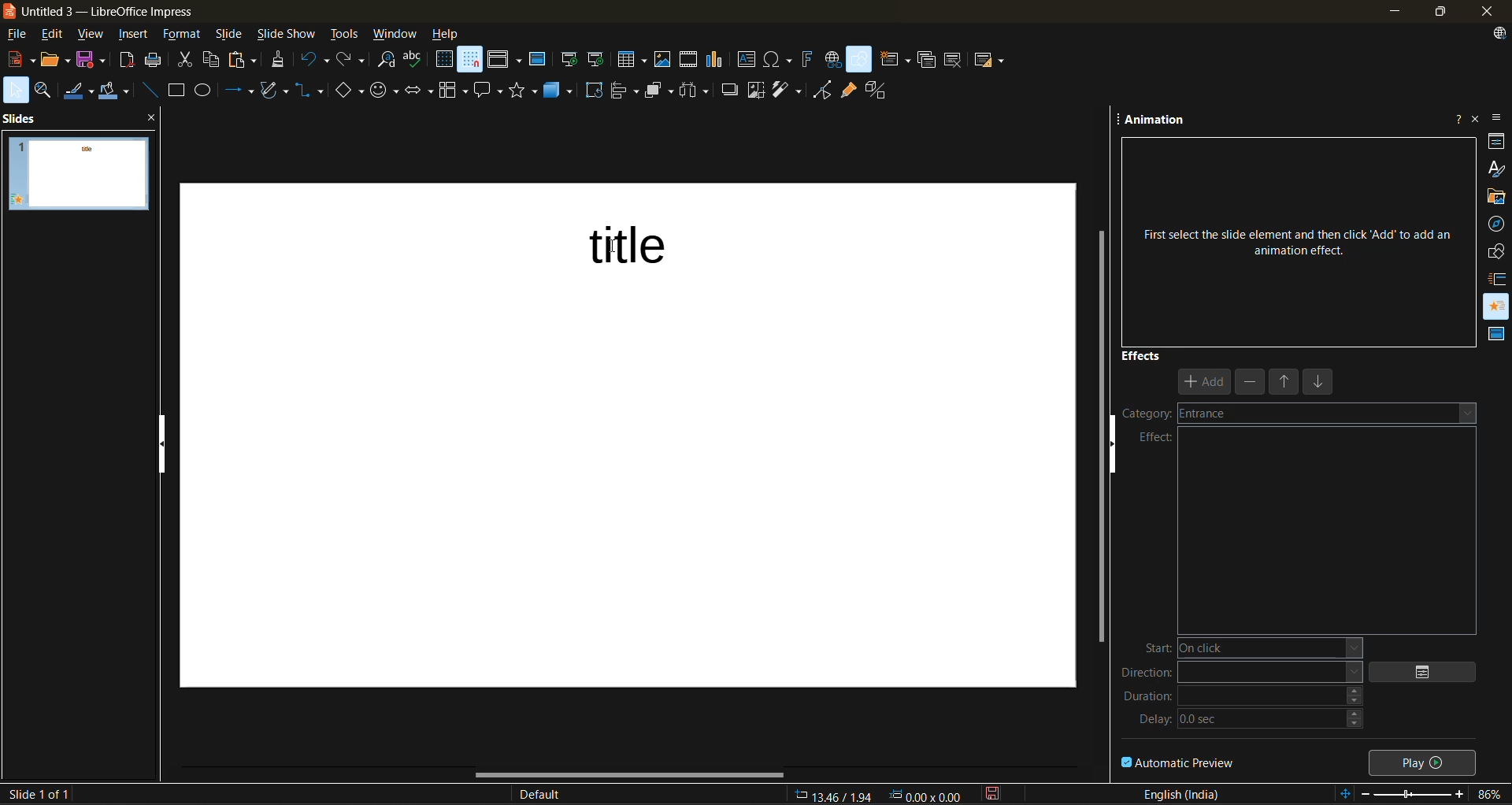 This screenshot has width=1512, height=805. I want to click on paste, so click(246, 60).